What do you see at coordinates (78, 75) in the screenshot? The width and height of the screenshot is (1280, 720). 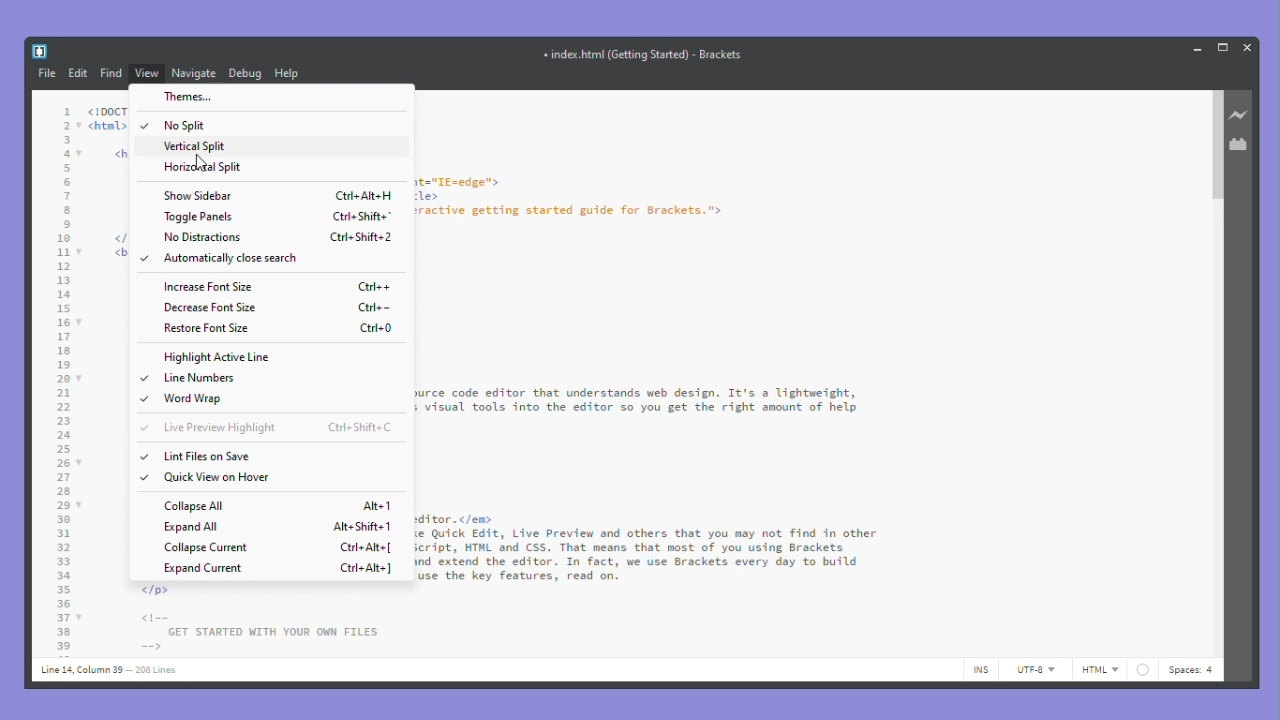 I see `edit` at bounding box center [78, 75].